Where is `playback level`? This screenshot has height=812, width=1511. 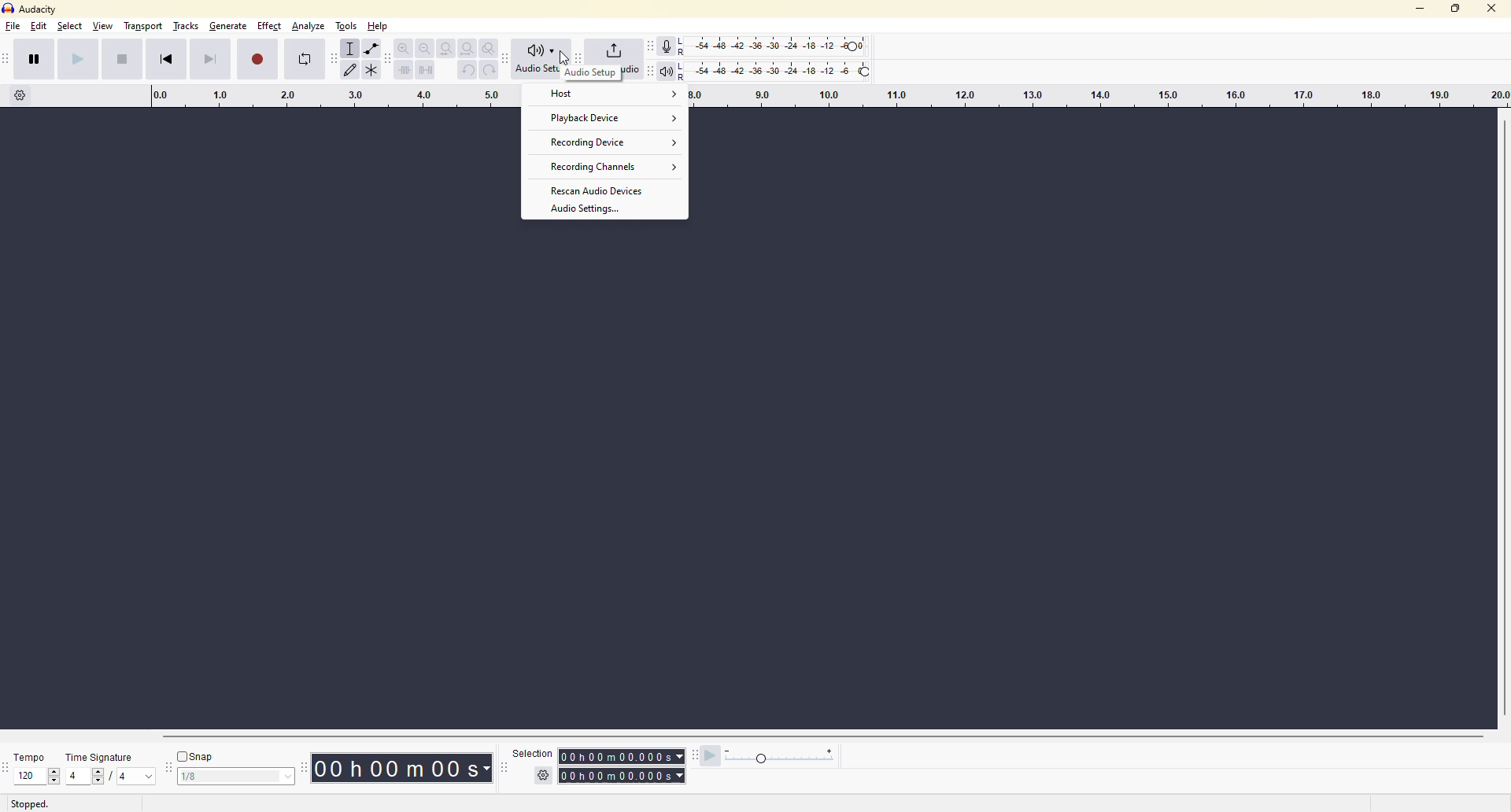 playback level is located at coordinates (776, 74).